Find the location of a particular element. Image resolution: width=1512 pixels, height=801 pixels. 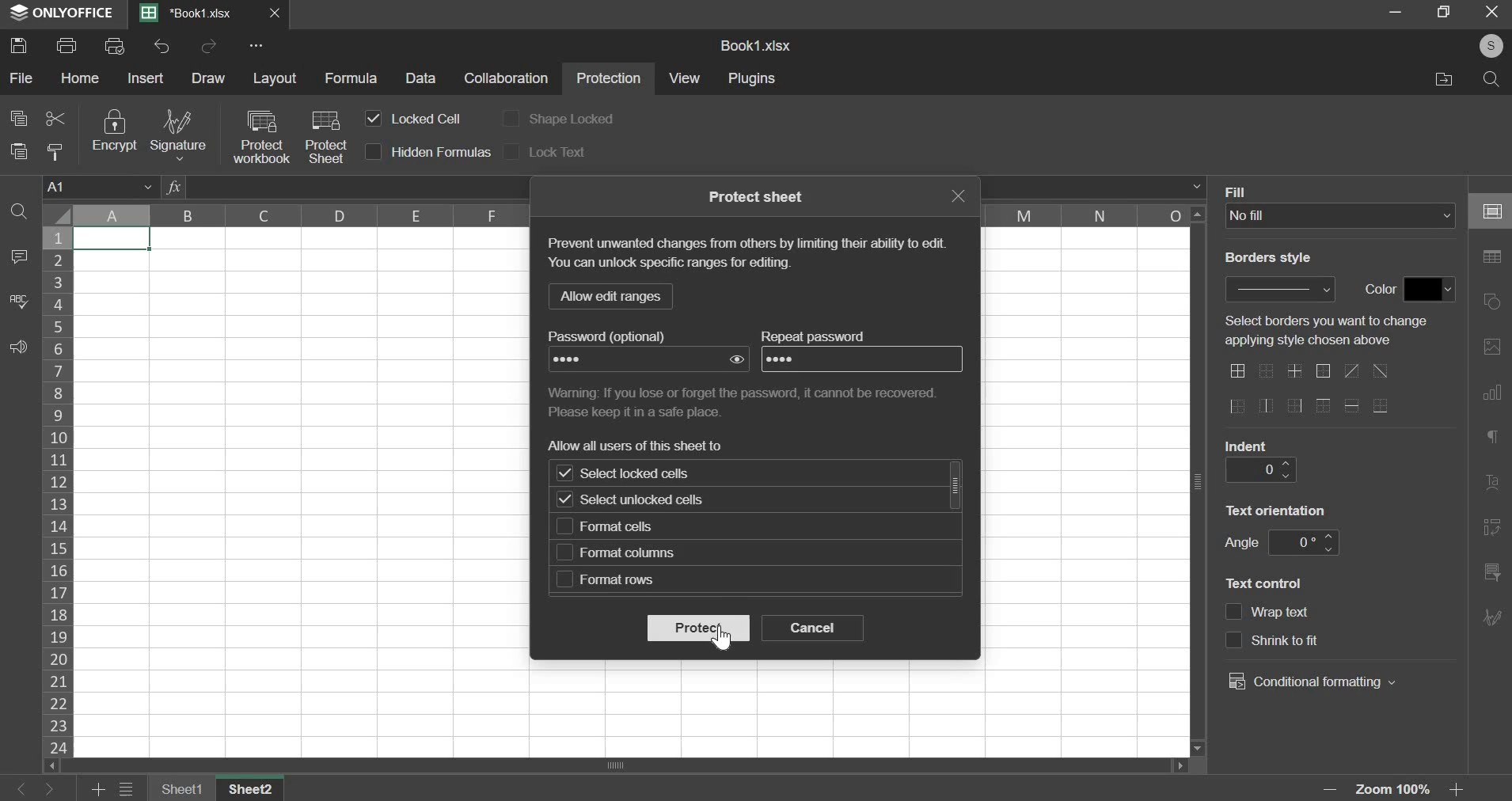

checkbox is located at coordinates (1234, 613).